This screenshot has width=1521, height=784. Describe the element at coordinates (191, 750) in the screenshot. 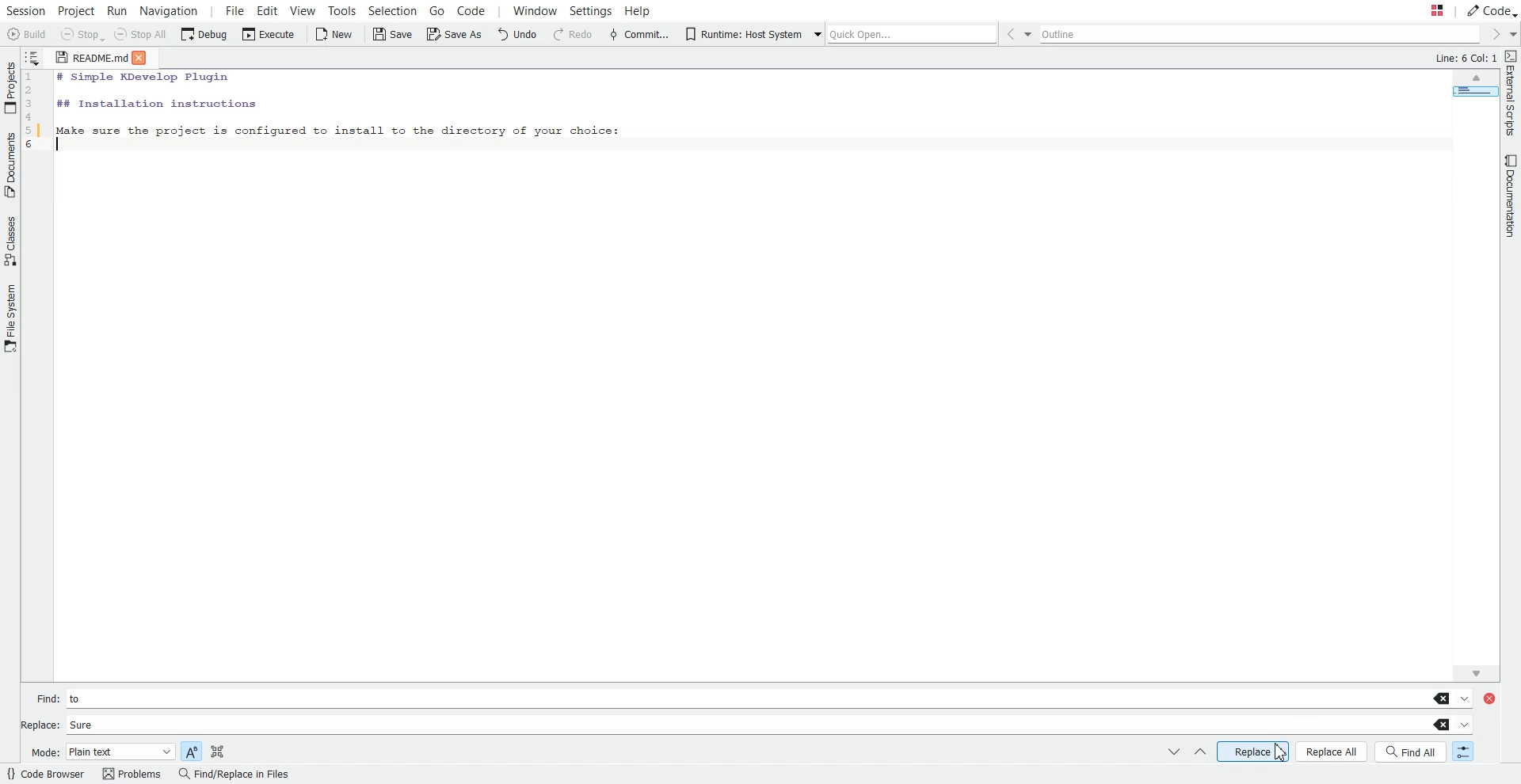

I see `Match case sensitive` at that location.